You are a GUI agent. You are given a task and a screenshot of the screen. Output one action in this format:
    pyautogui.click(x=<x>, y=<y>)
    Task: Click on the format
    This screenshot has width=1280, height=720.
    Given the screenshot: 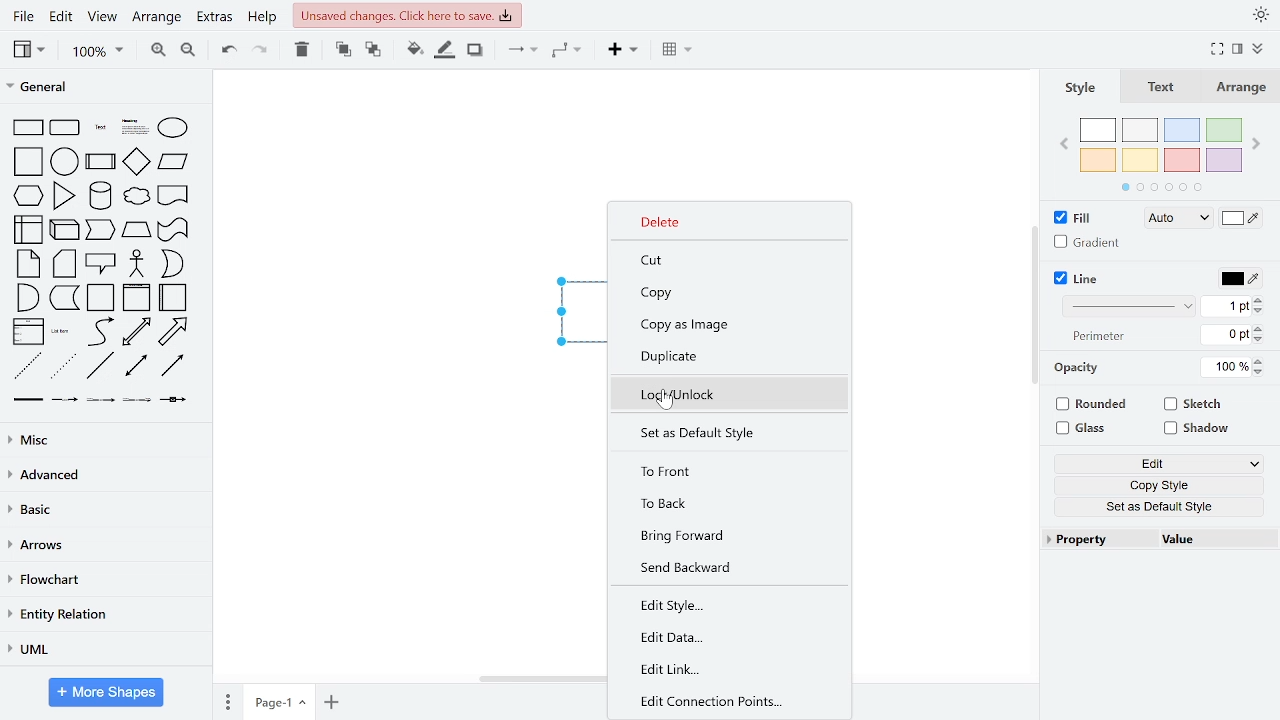 What is the action you would take?
    pyautogui.click(x=1238, y=49)
    